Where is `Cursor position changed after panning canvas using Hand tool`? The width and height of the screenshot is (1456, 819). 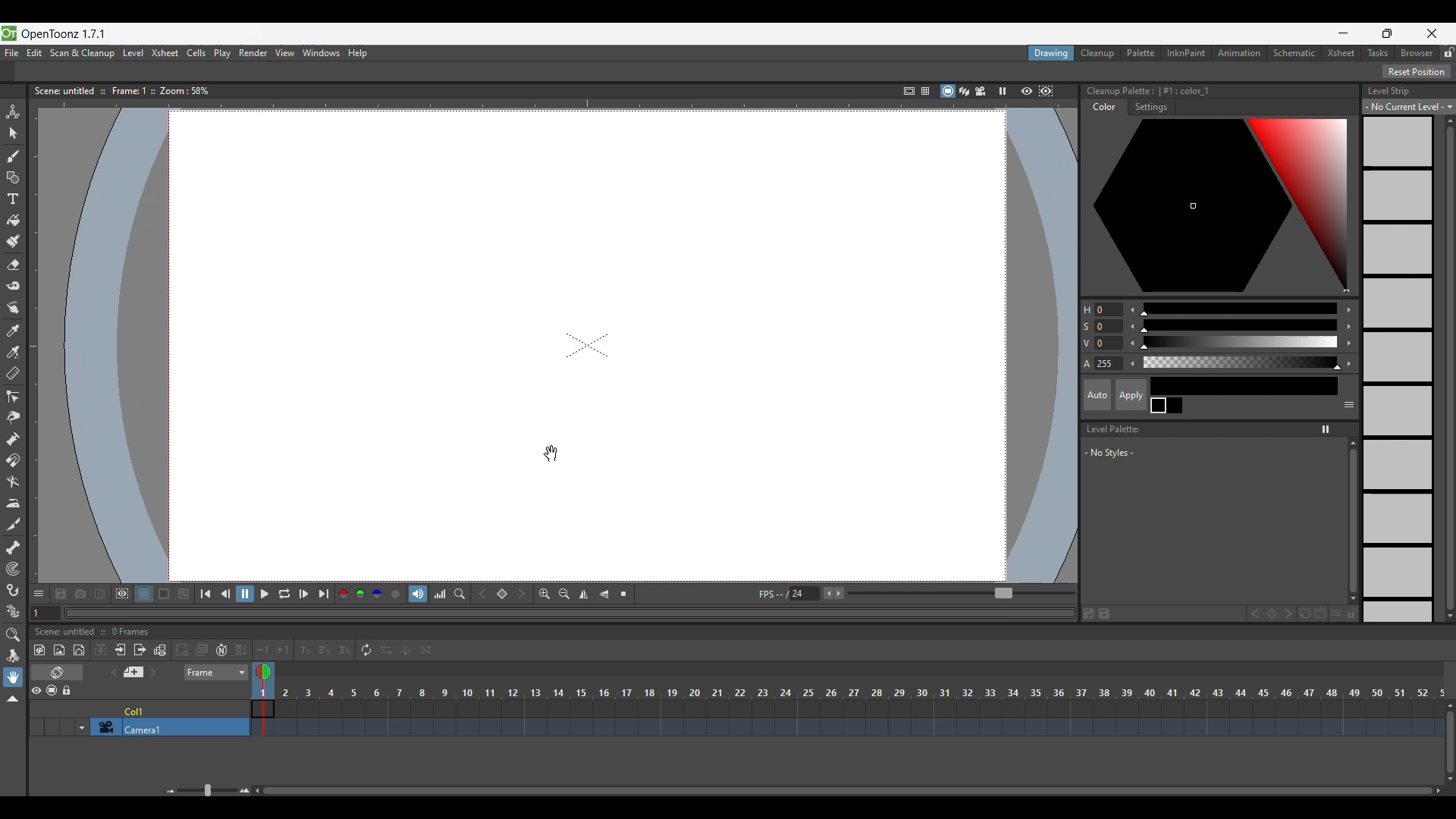 Cursor position changed after panning canvas using Hand tool is located at coordinates (551, 453).